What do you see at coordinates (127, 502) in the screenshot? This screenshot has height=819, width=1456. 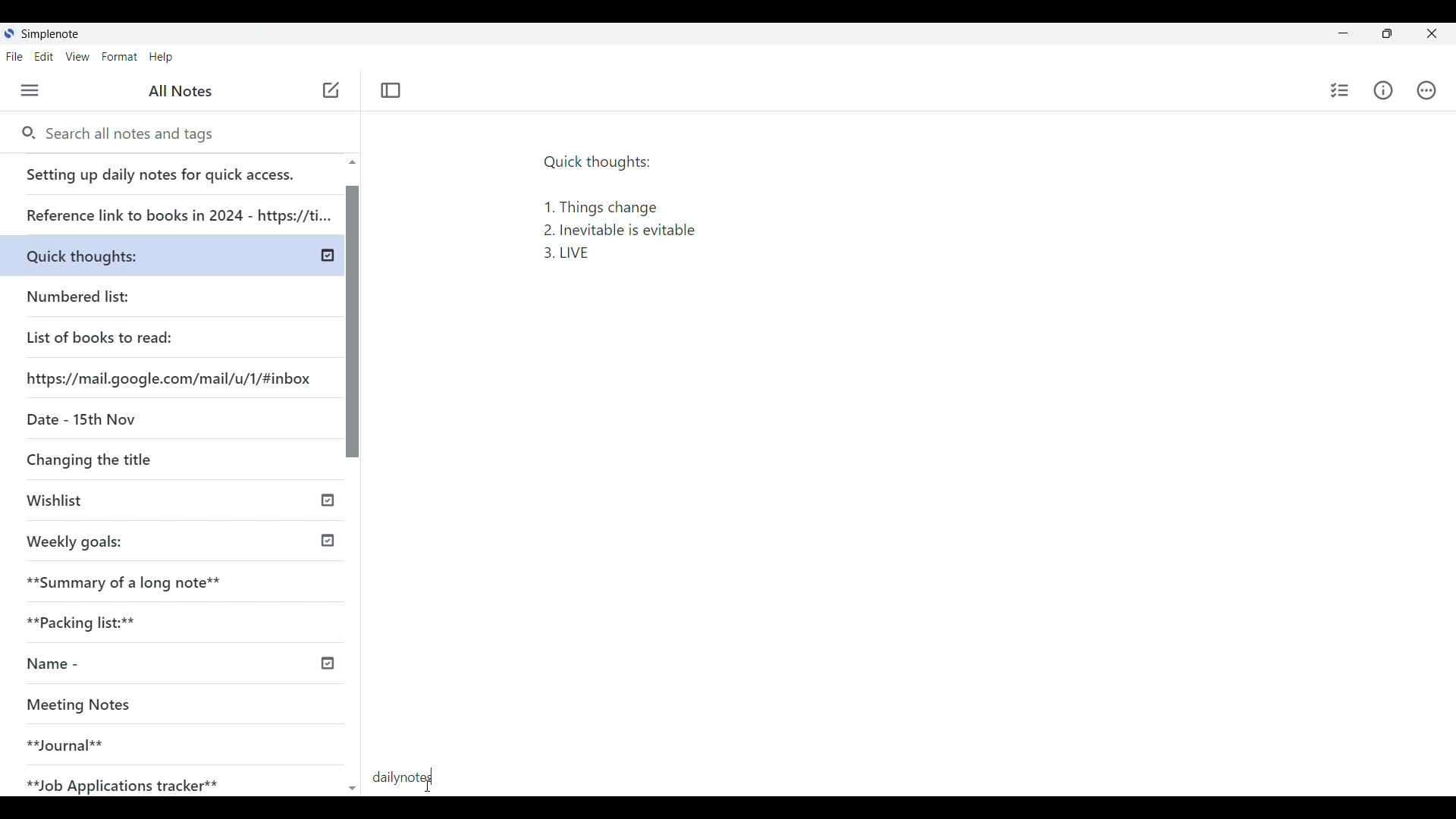 I see `Wishlist` at bounding box center [127, 502].